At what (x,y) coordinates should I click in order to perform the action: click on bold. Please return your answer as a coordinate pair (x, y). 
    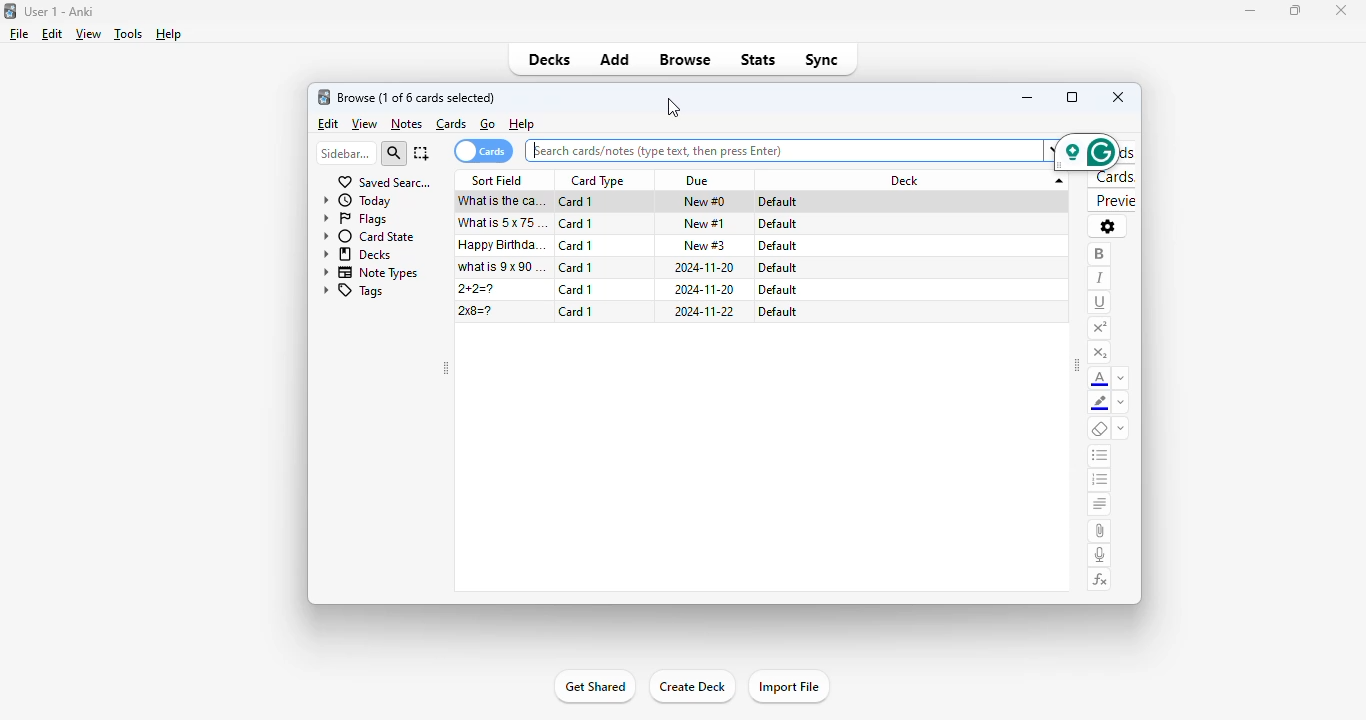
    Looking at the image, I should click on (1100, 255).